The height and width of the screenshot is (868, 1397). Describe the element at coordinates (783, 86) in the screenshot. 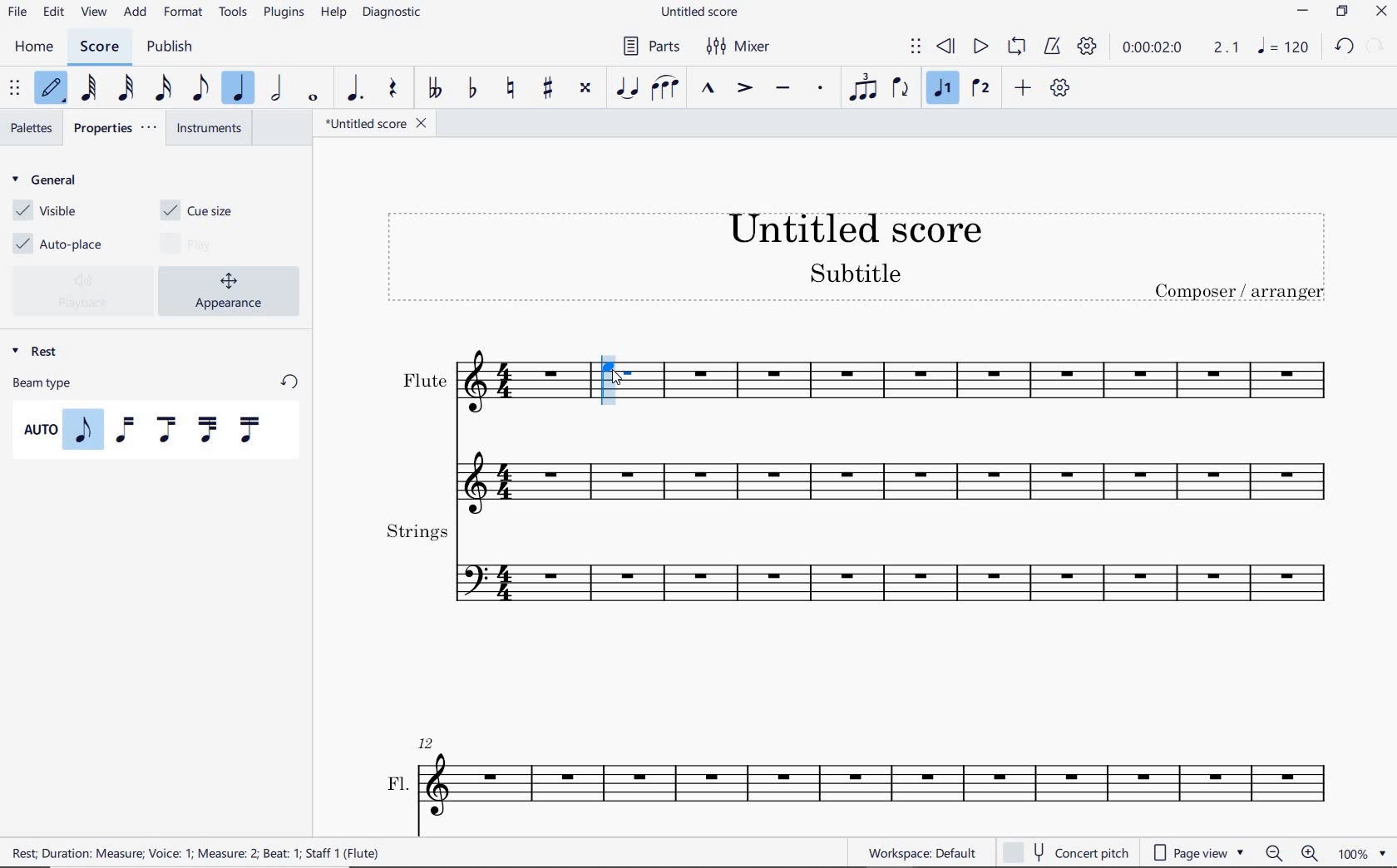

I see `TENUTO` at that location.